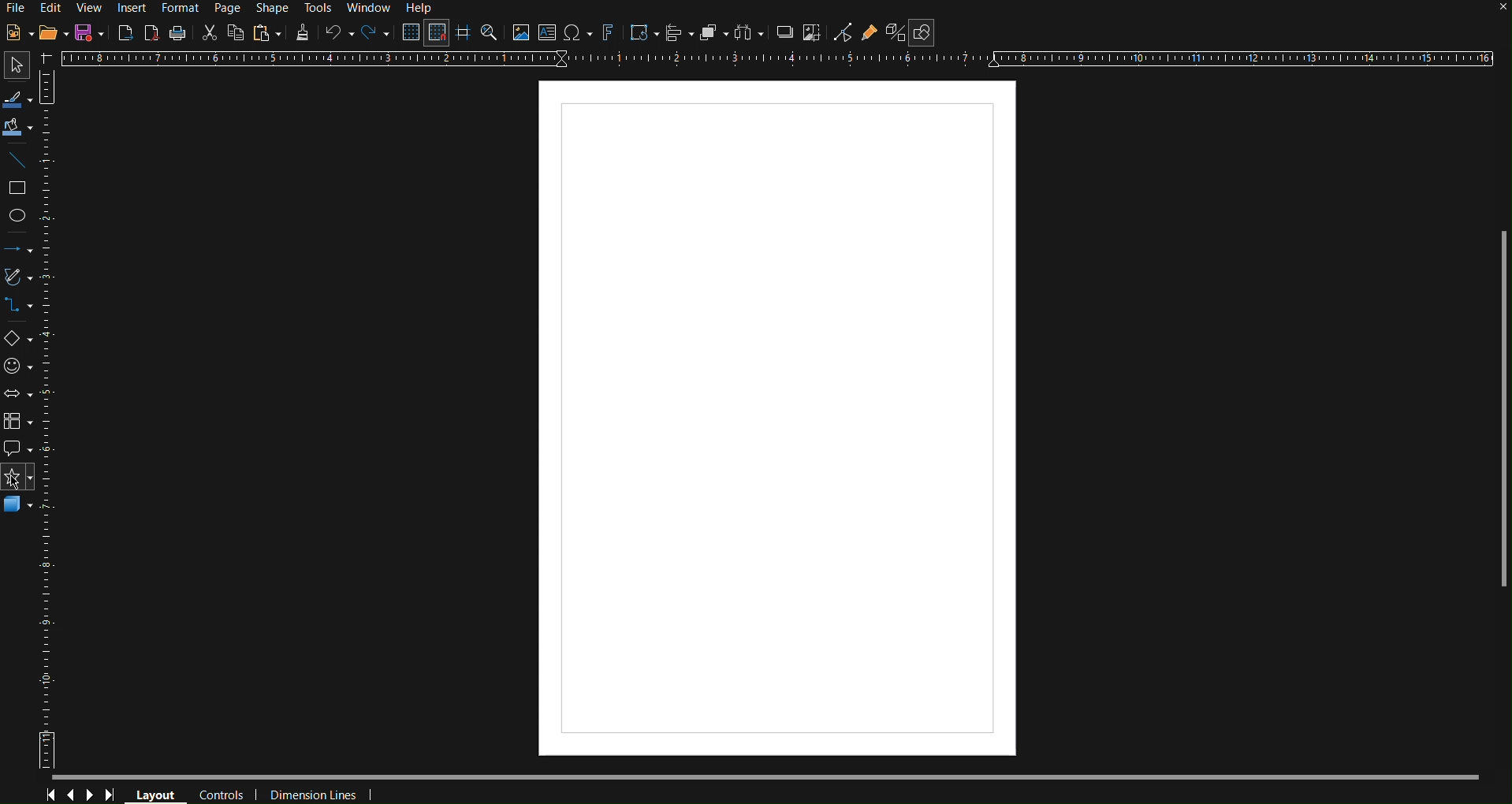 The image size is (1512, 804). What do you see at coordinates (207, 32) in the screenshot?
I see `Cut` at bounding box center [207, 32].